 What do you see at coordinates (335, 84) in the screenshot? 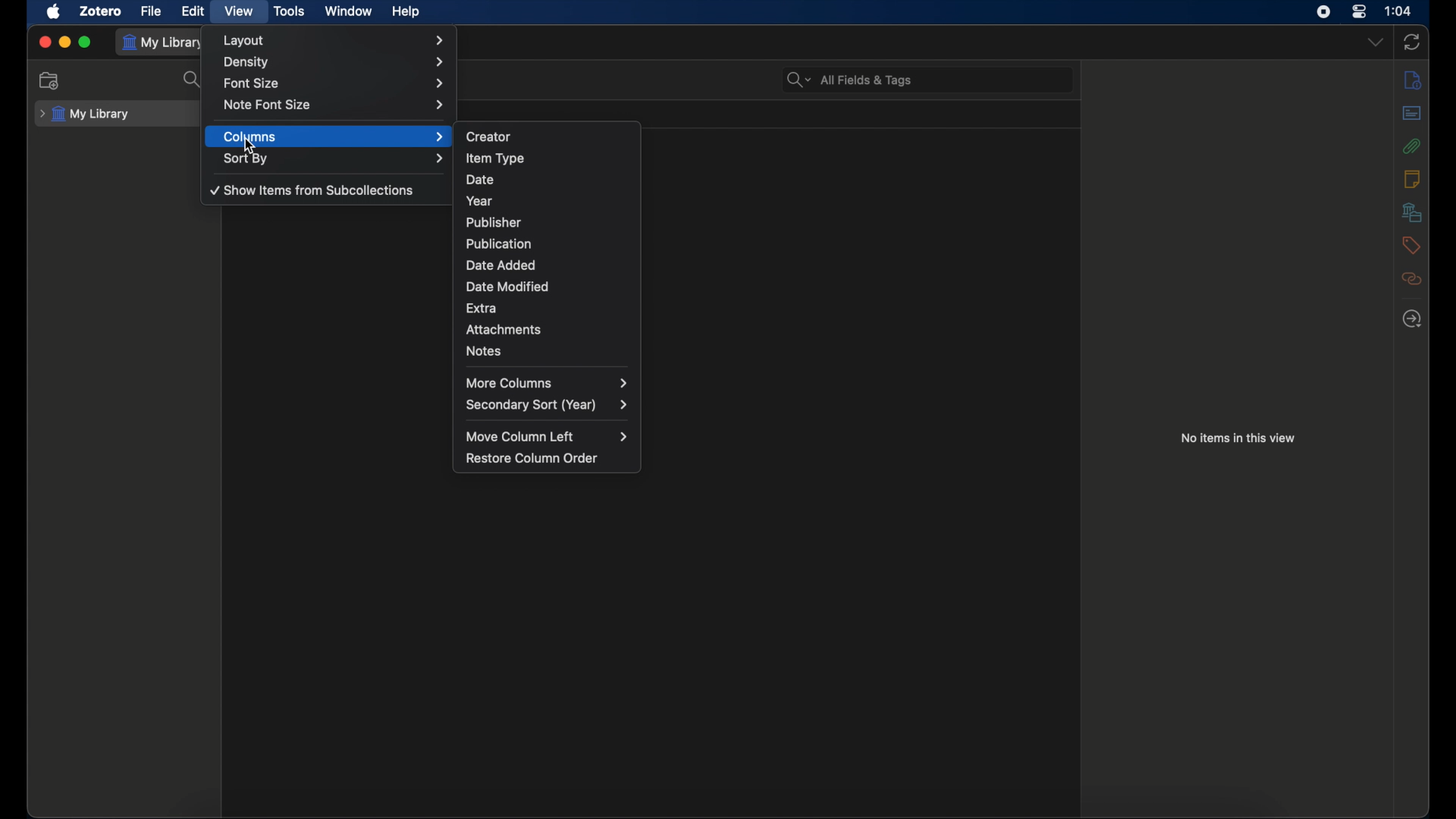
I see `font size` at bounding box center [335, 84].